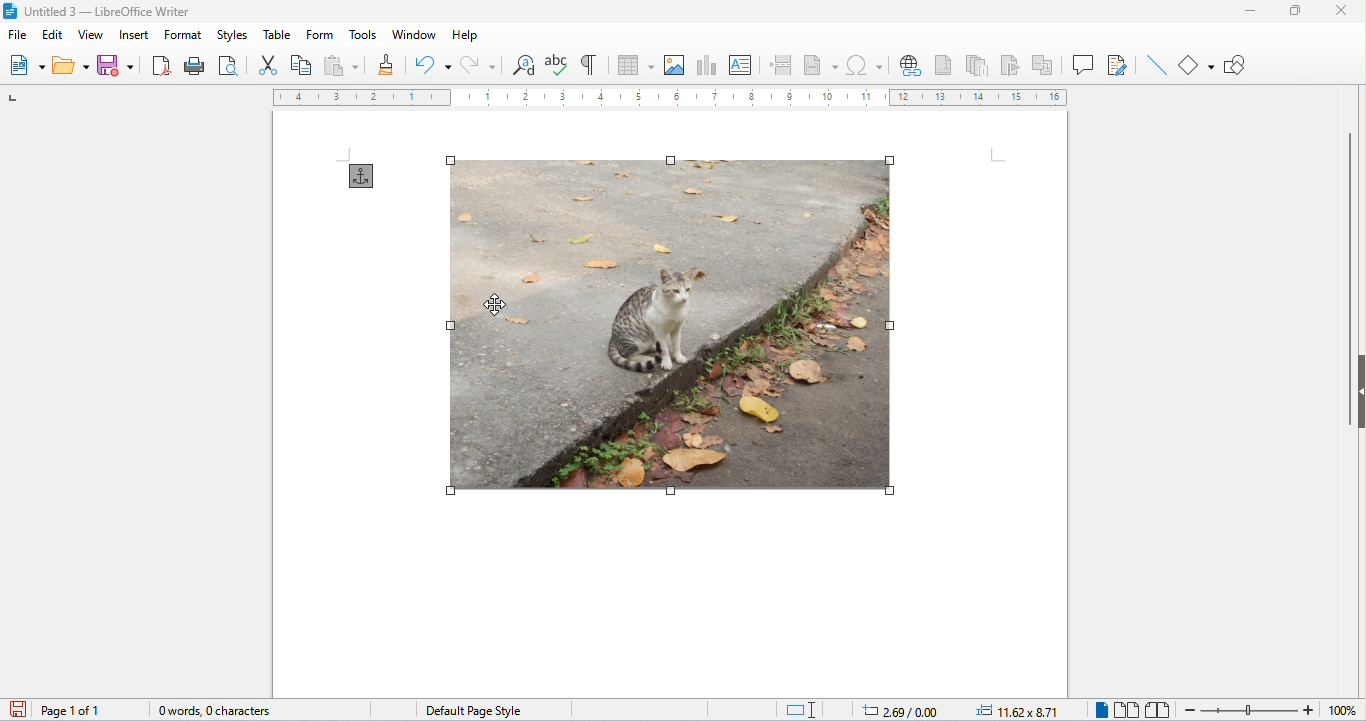 Image resolution: width=1366 pixels, height=722 pixels. What do you see at coordinates (523, 67) in the screenshot?
I see `find and replace` at bounding box center [523, 67].